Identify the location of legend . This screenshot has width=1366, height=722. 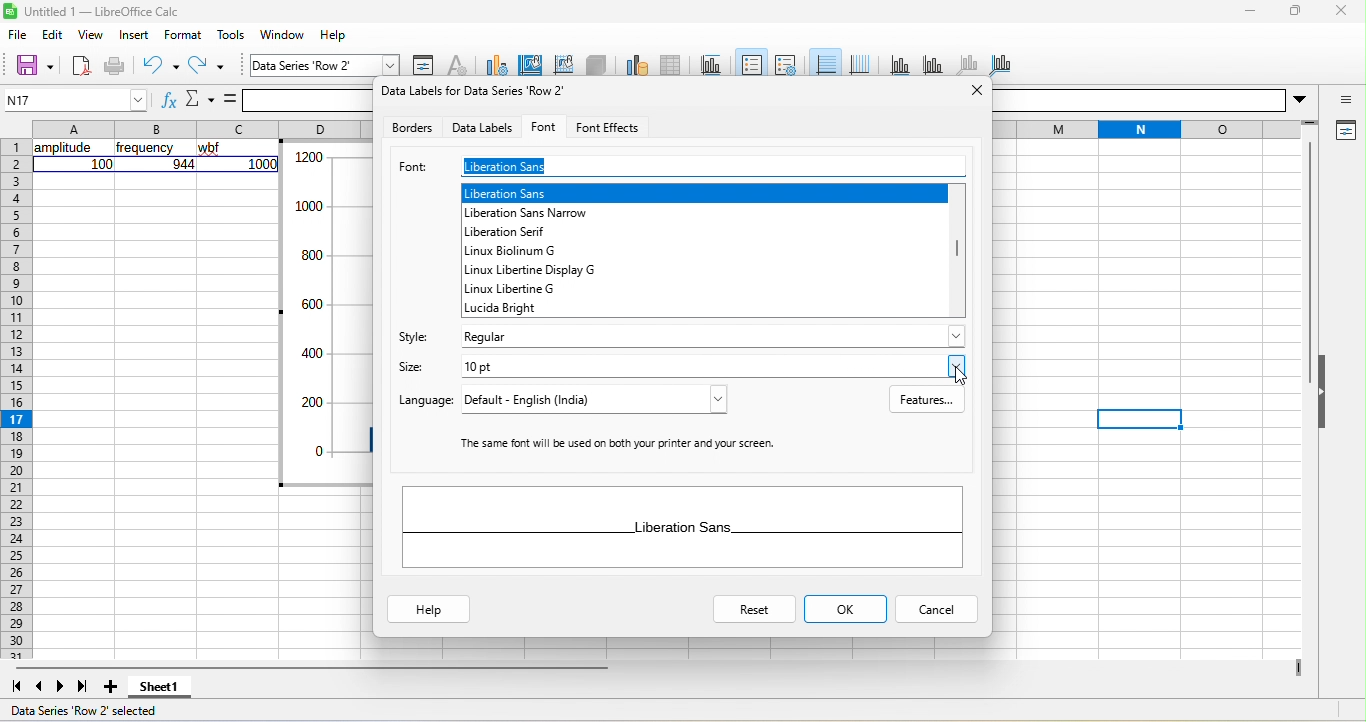
(786, 63).